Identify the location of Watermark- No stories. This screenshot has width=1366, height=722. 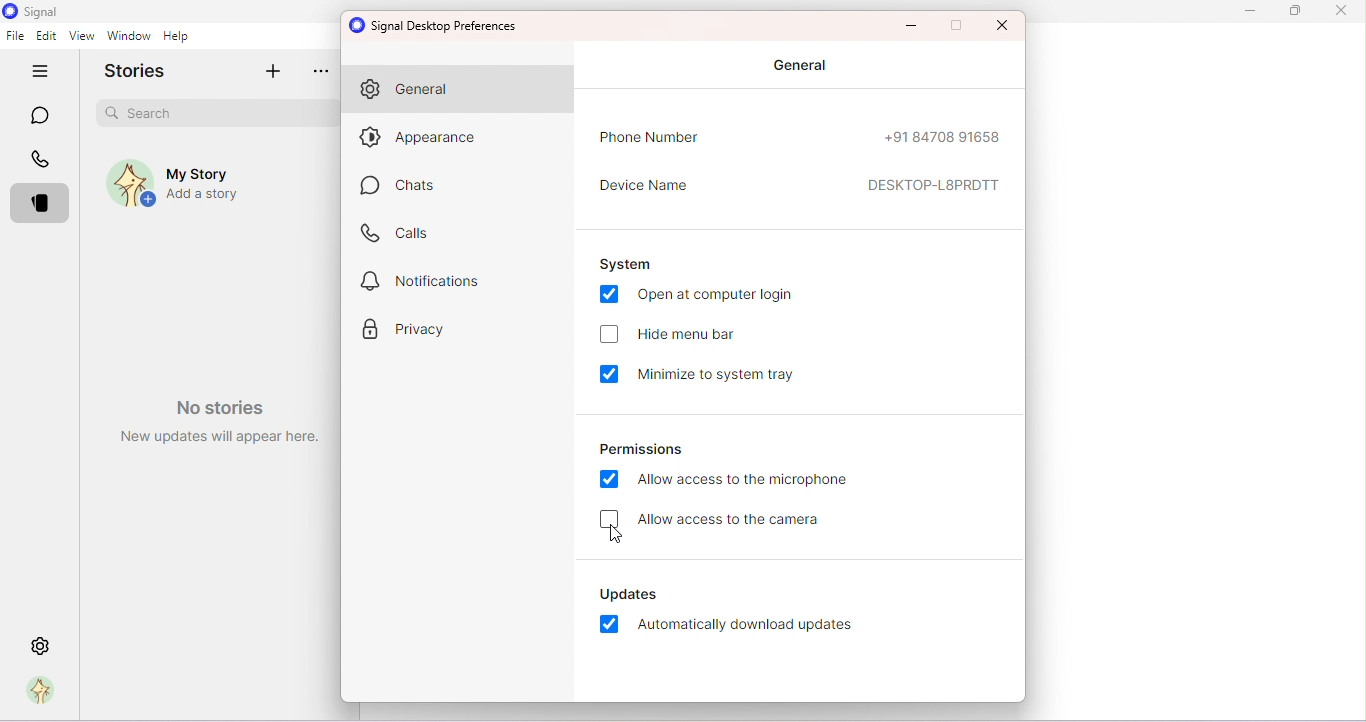
(218, 419).